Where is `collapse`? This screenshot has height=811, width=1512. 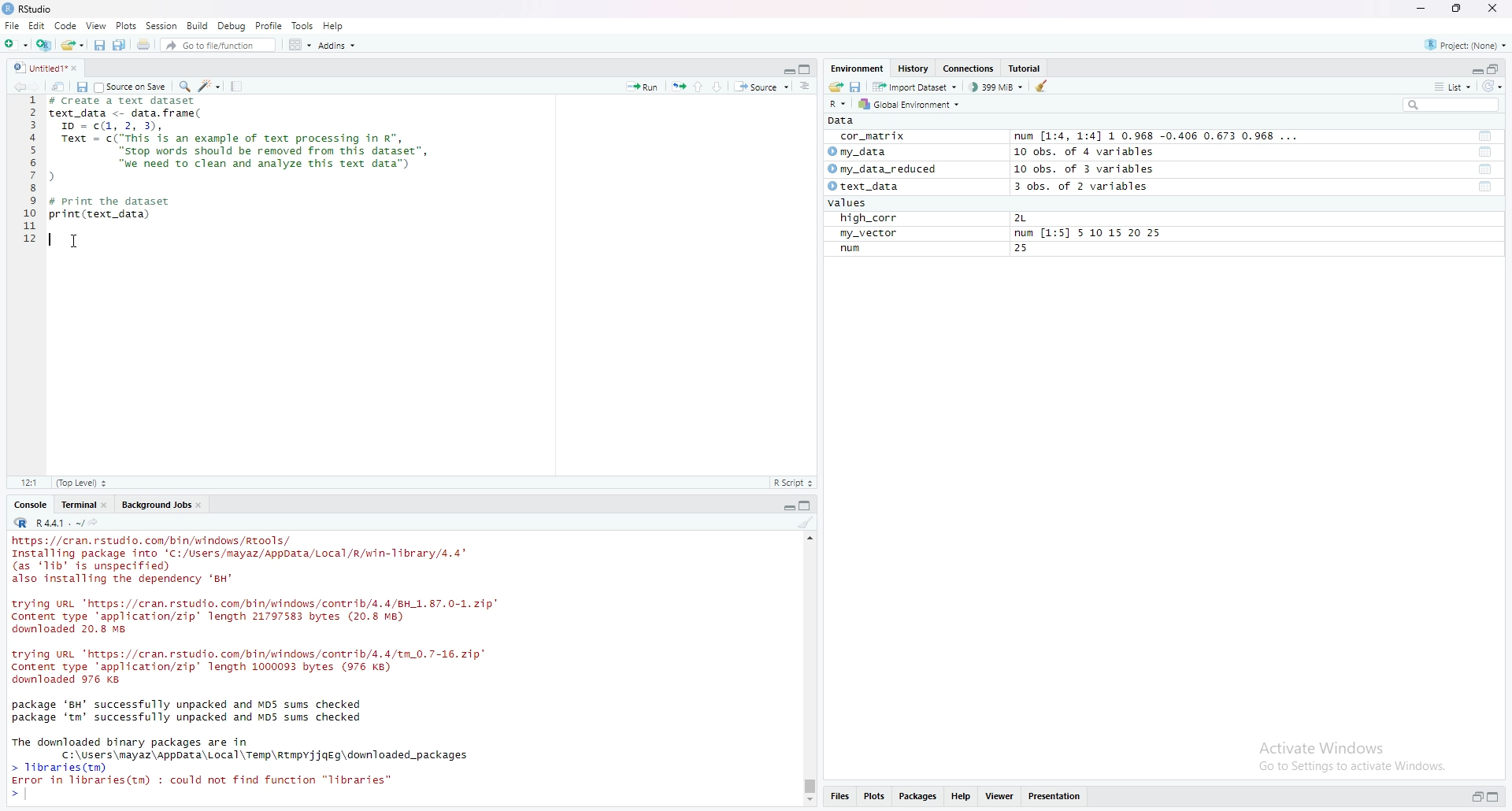
collapse is located at coordinates (1497, 69).